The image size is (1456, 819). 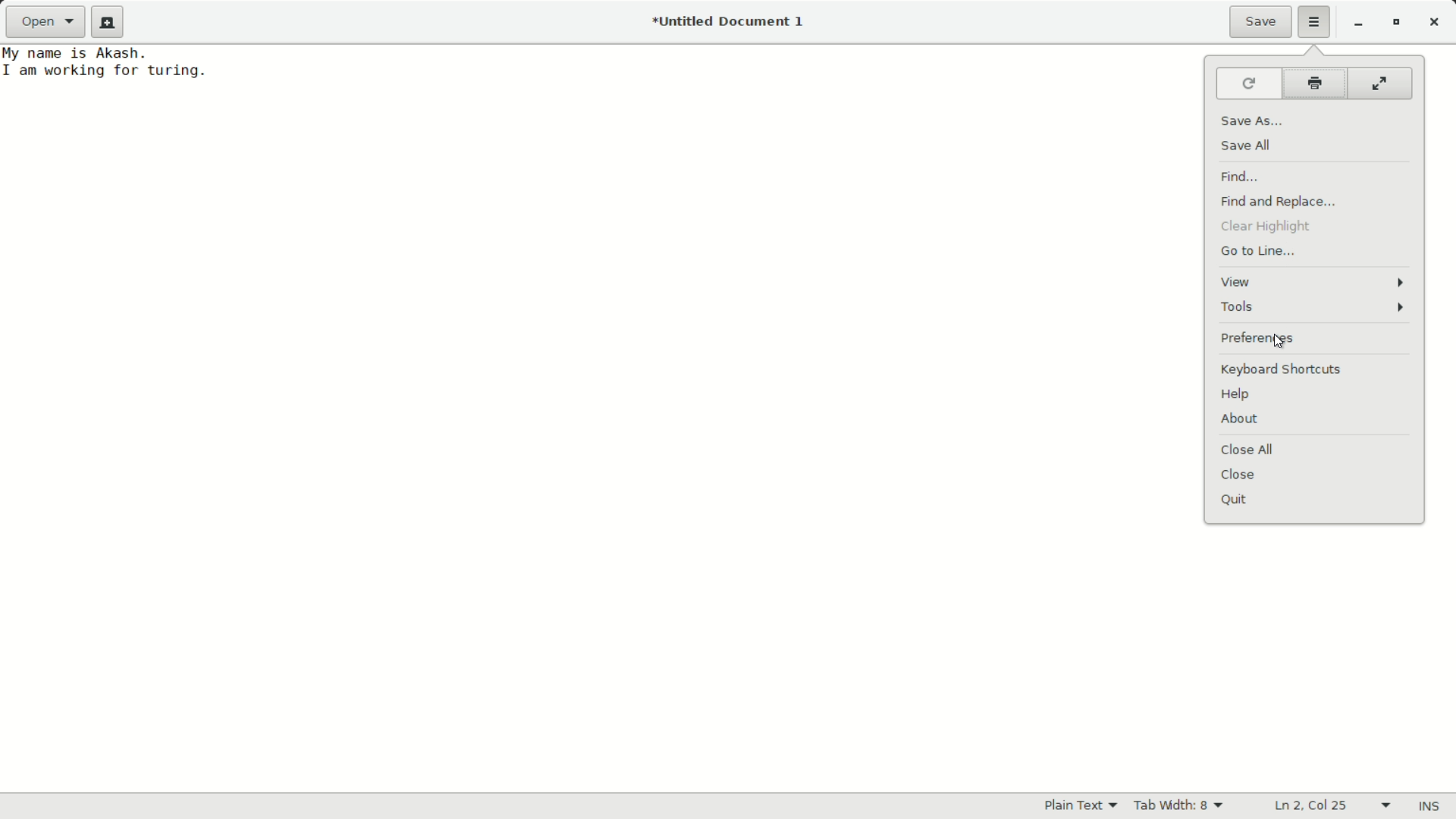 What do you see at coordinates (44, 20) in the screenshot?
I see `open a file` at bounding box center [44, 20].